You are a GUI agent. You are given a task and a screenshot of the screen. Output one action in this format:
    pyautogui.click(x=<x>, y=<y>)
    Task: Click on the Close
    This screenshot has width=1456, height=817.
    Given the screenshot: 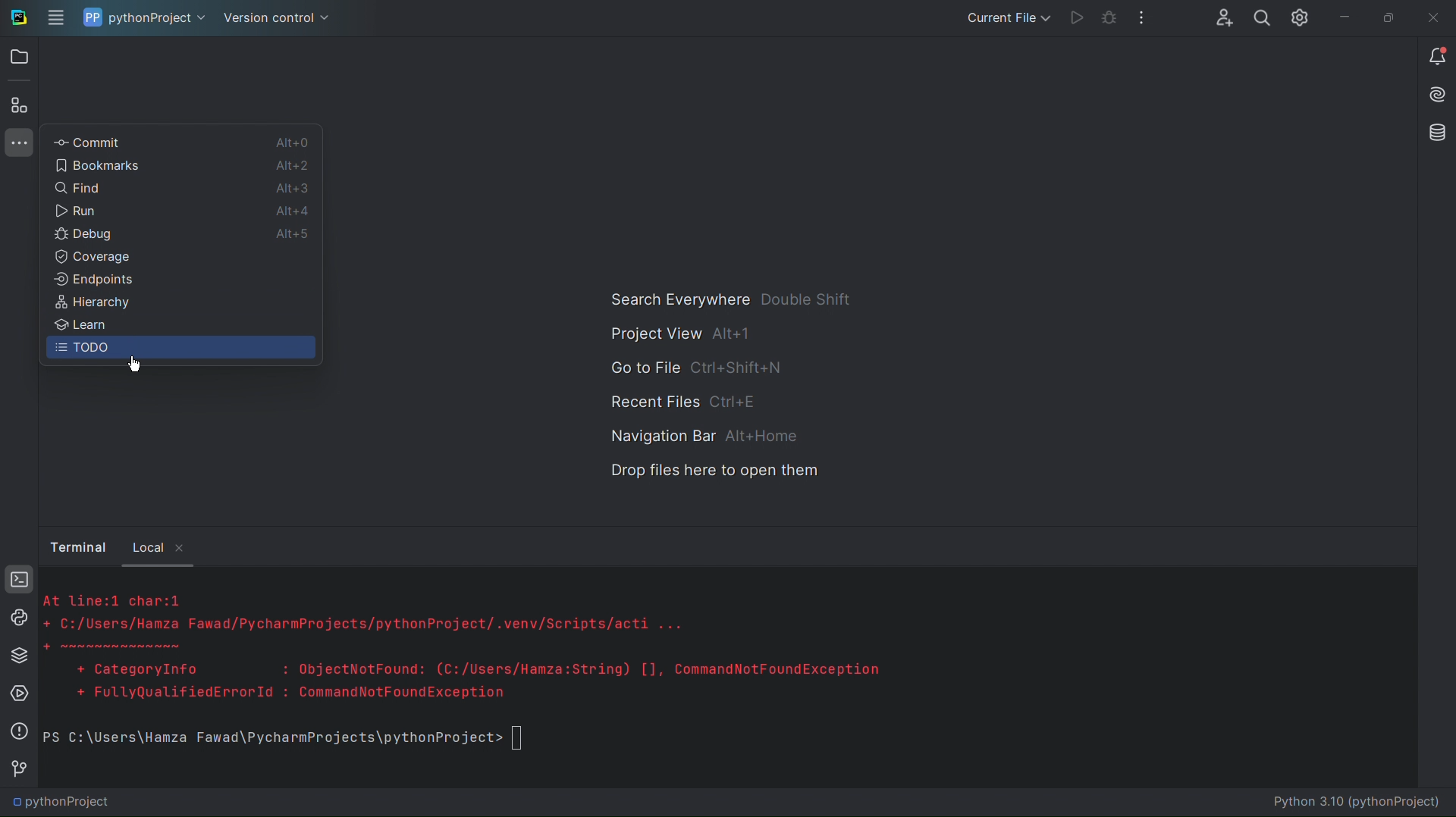 What is the action you would take?
    pyautogui.click(x=1432, y=17)
    